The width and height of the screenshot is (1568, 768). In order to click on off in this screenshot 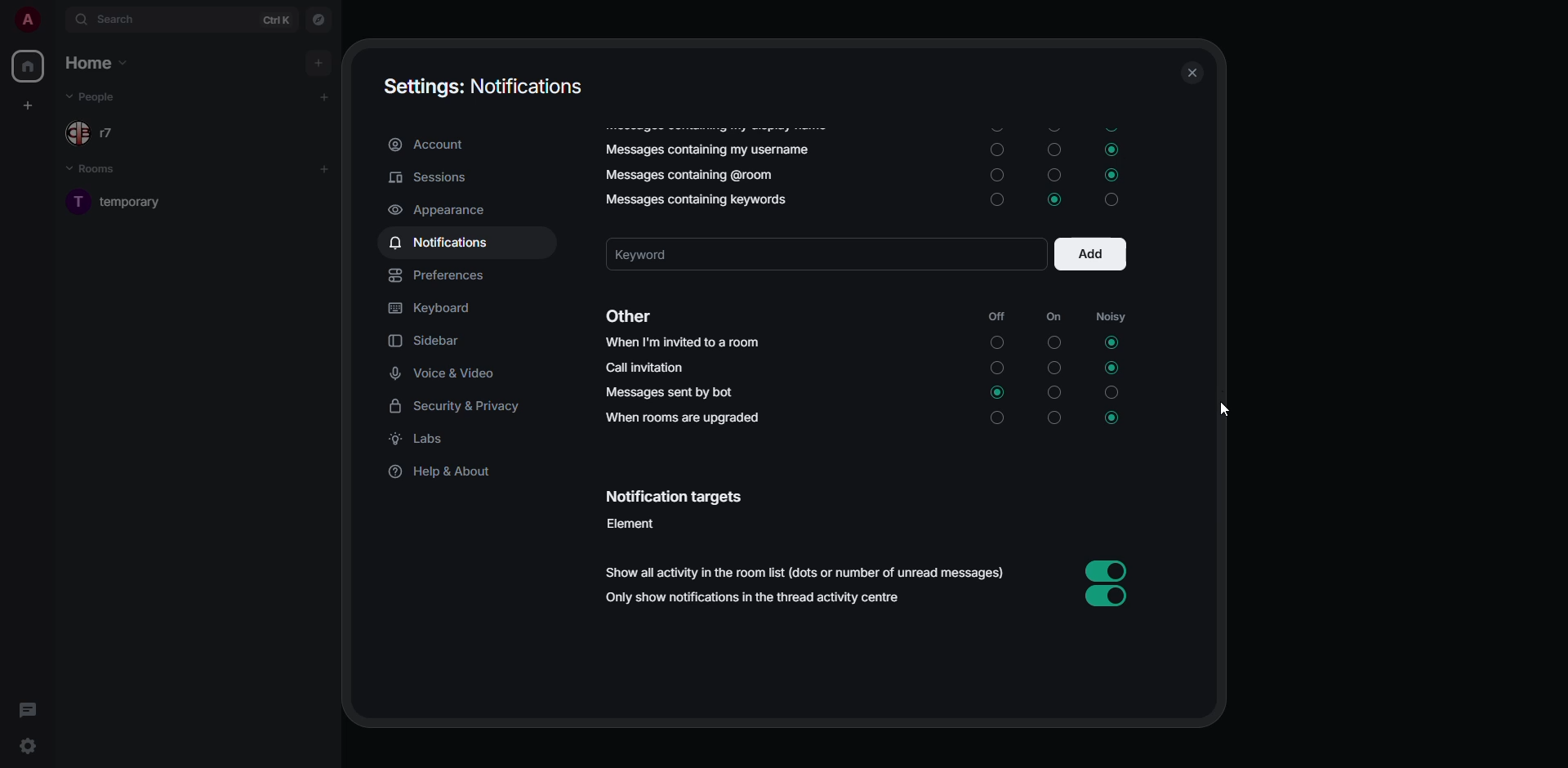, I will do `click(1054, 391)`.